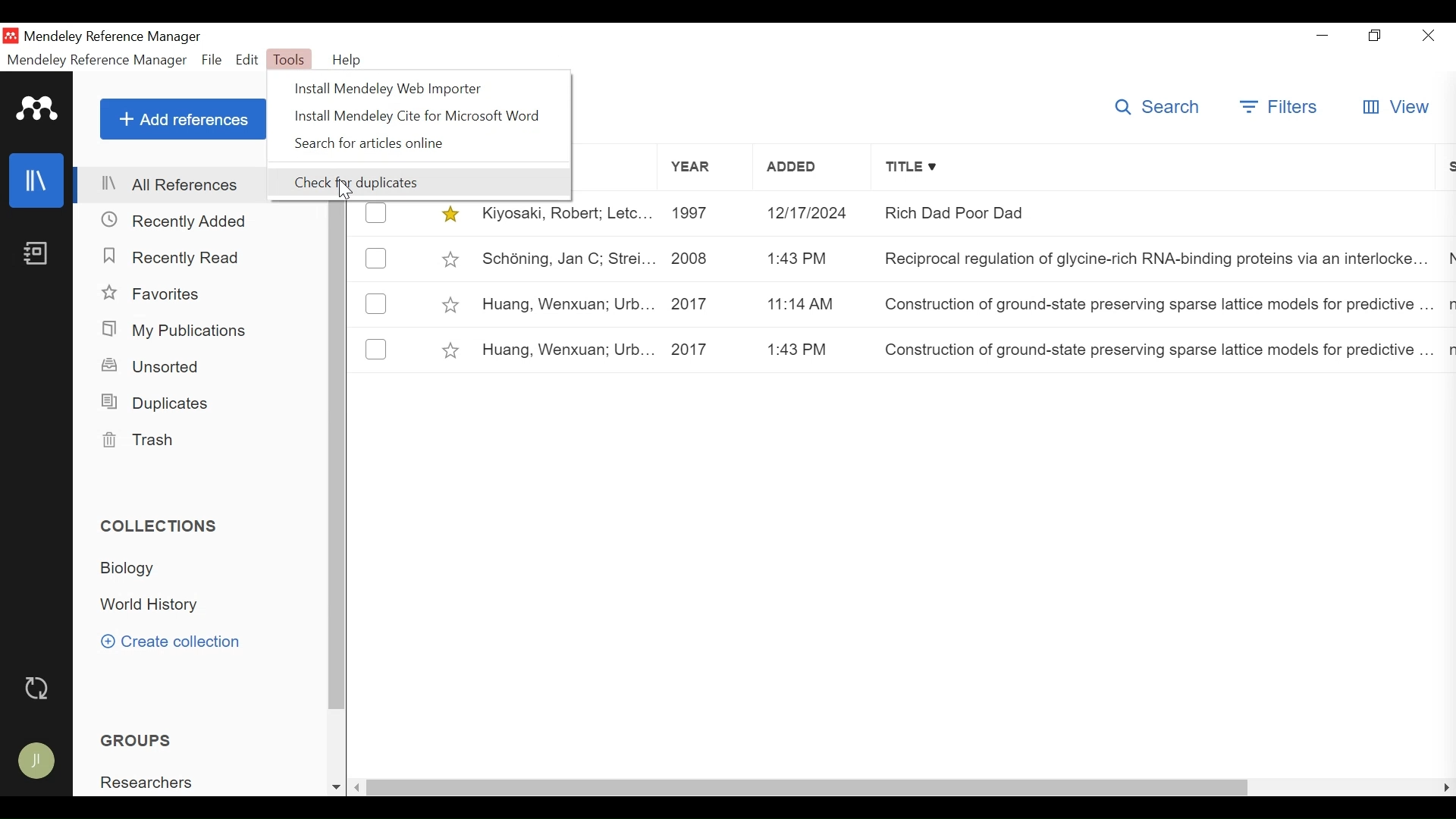  I want to click on Scroll Left, so click(356, 789).